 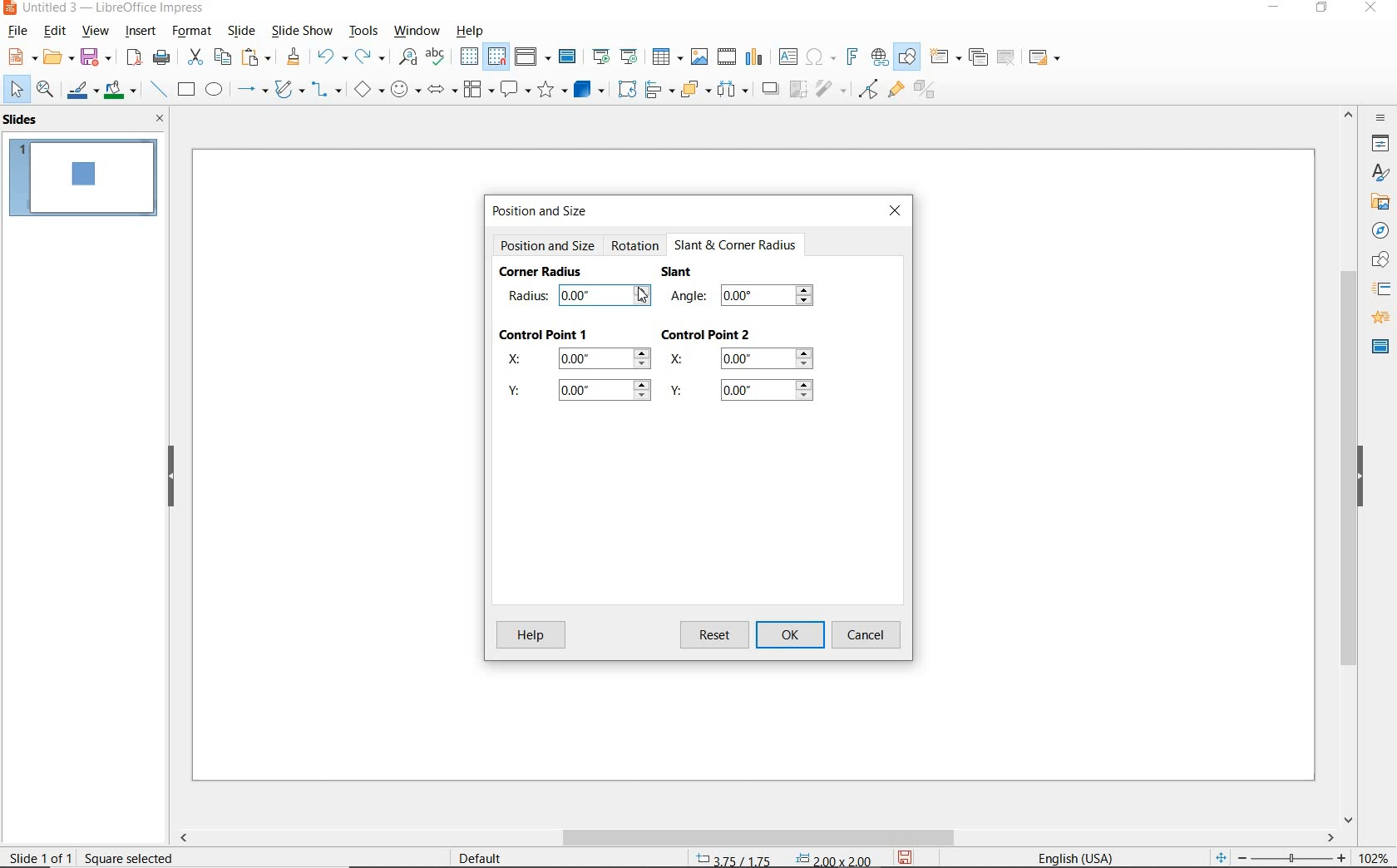 I want to click on line color, so click(x=81, y=89).